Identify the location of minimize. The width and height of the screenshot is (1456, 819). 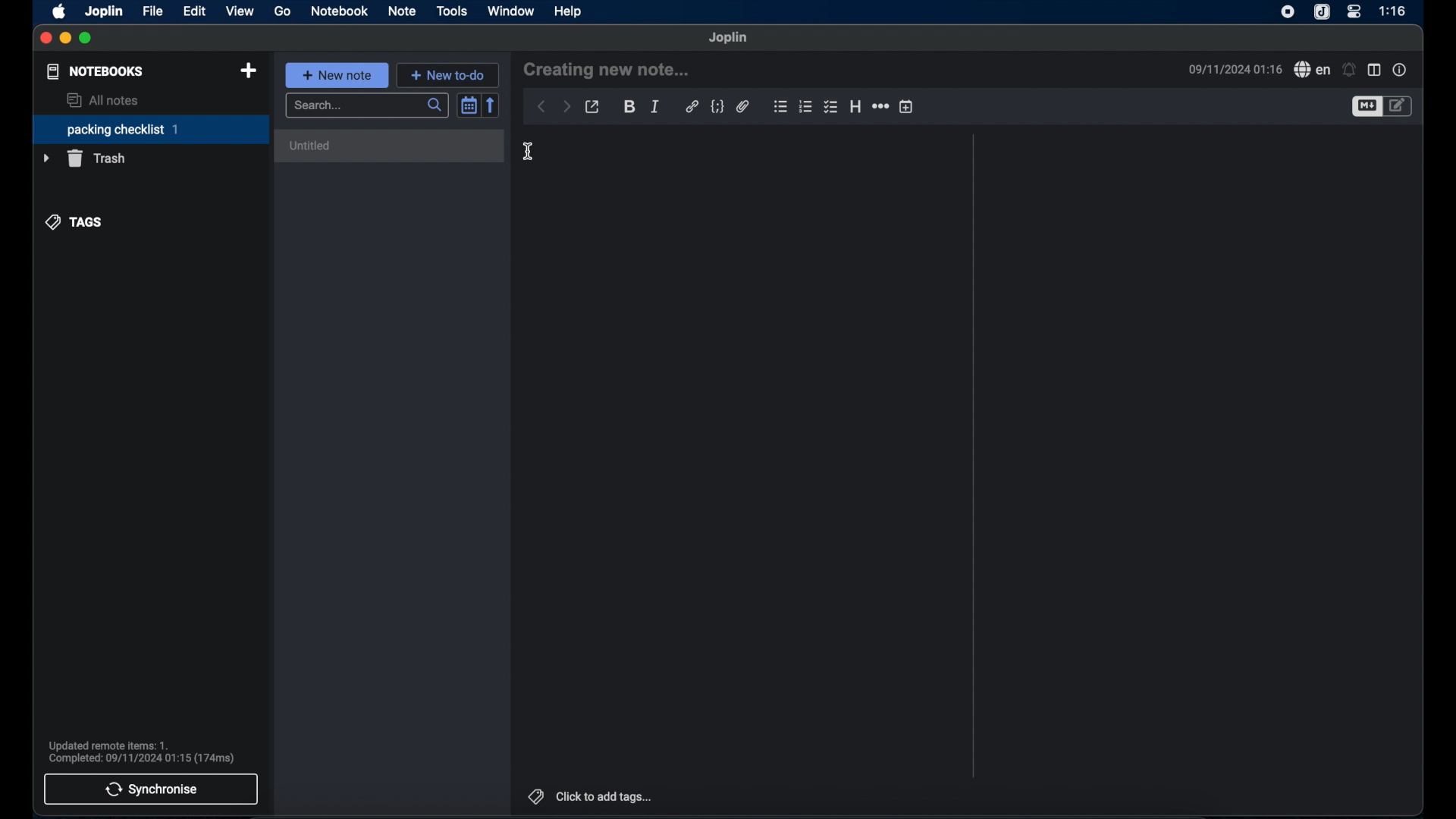
(65, 39).